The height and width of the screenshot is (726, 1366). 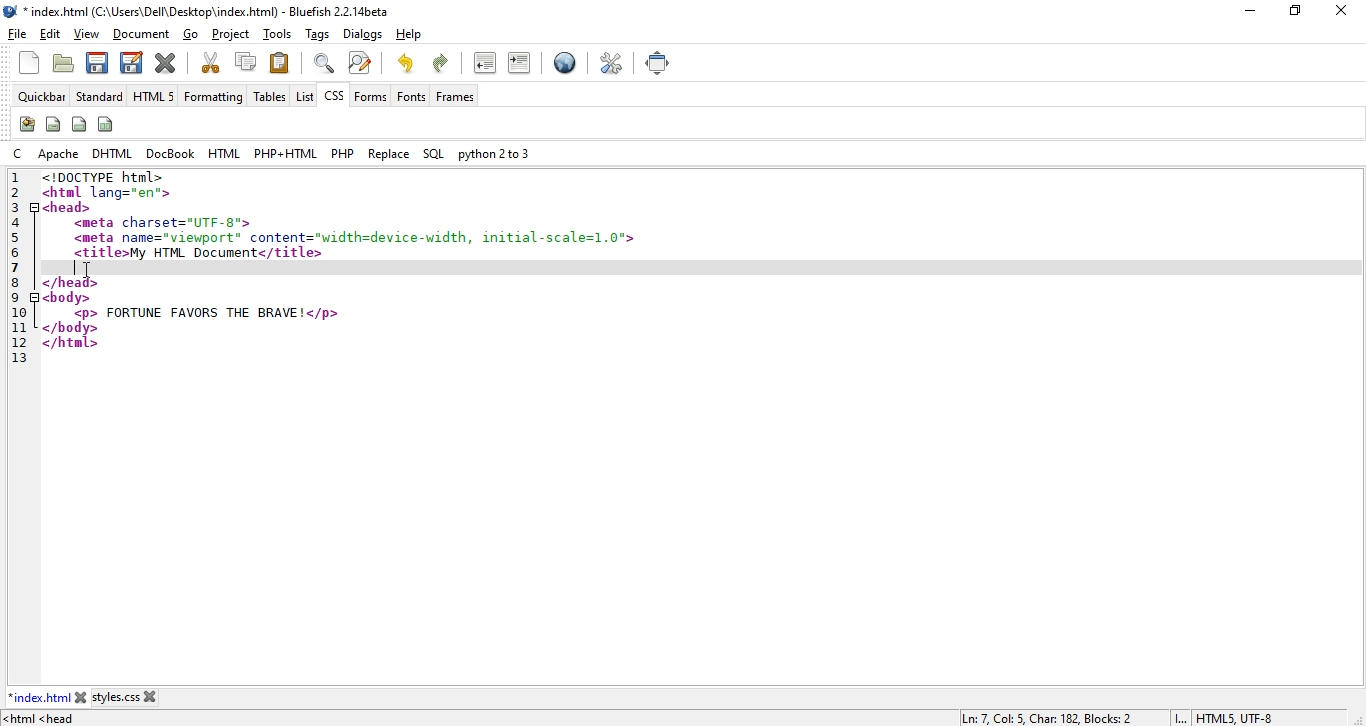 I want to click on python 2 to 3, so click(x=492, y=153).